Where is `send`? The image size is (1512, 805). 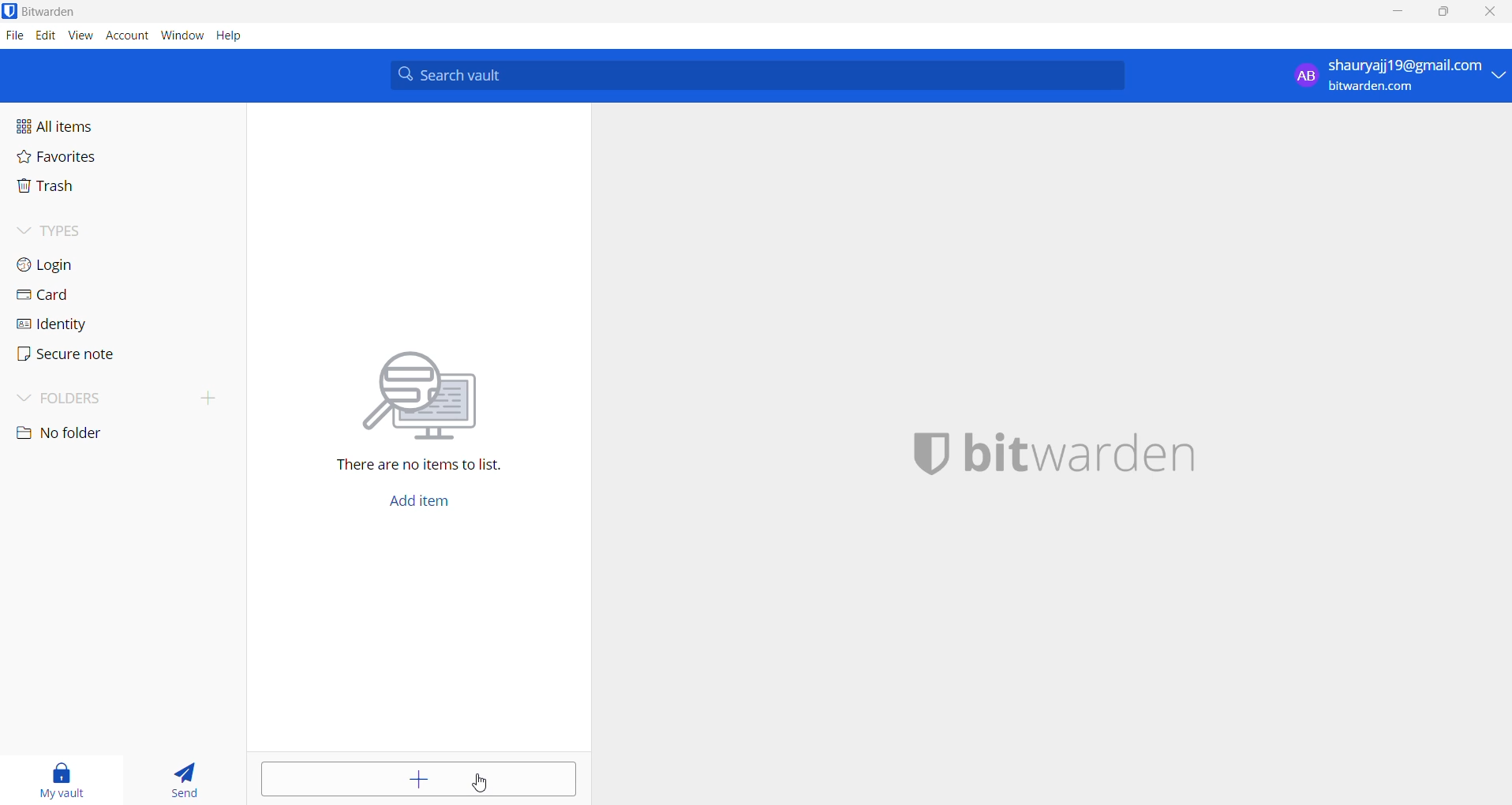
send is located at coordinates (183, 776).